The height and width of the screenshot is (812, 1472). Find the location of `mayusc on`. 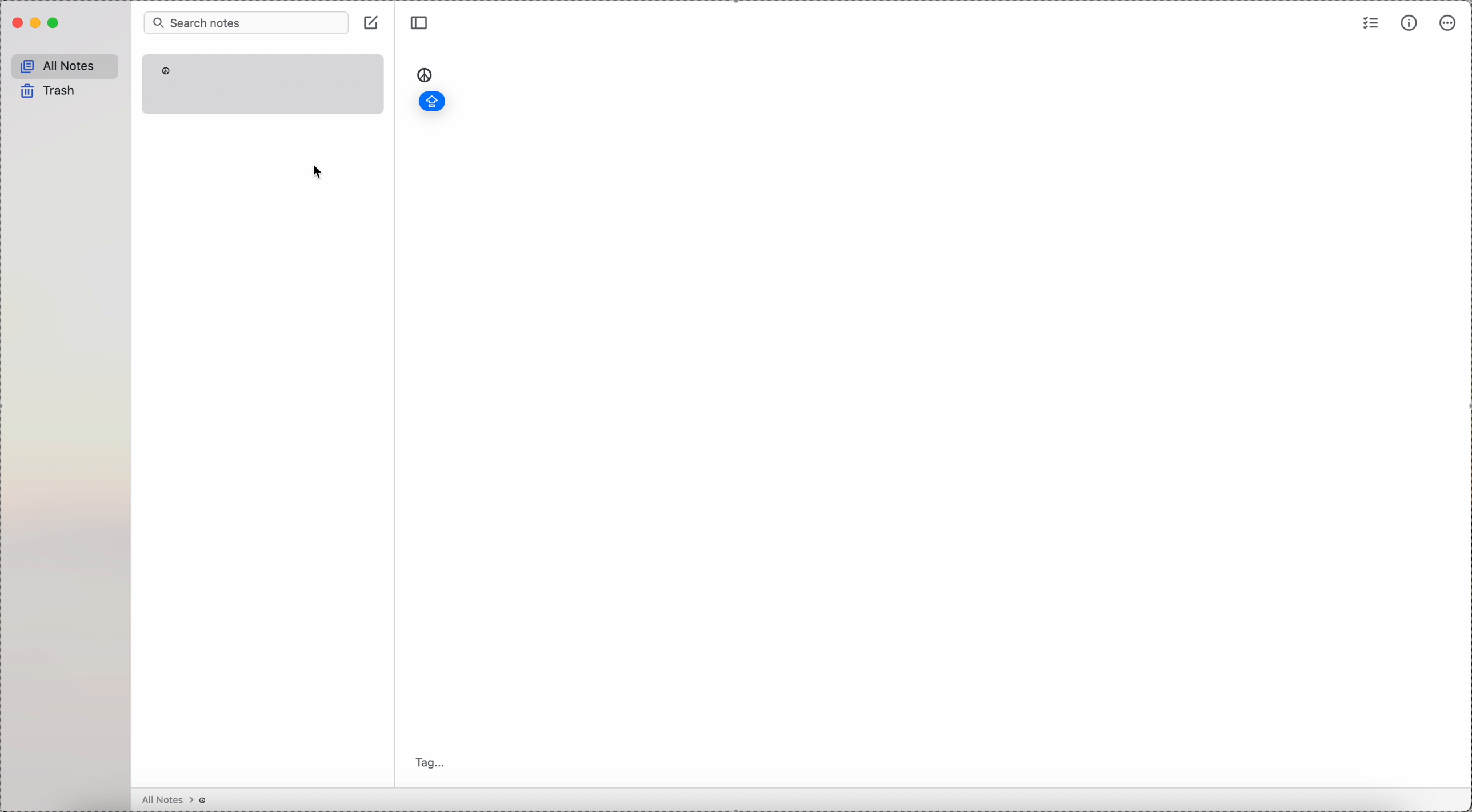

mayusc on is located at coordinates (431, 101).